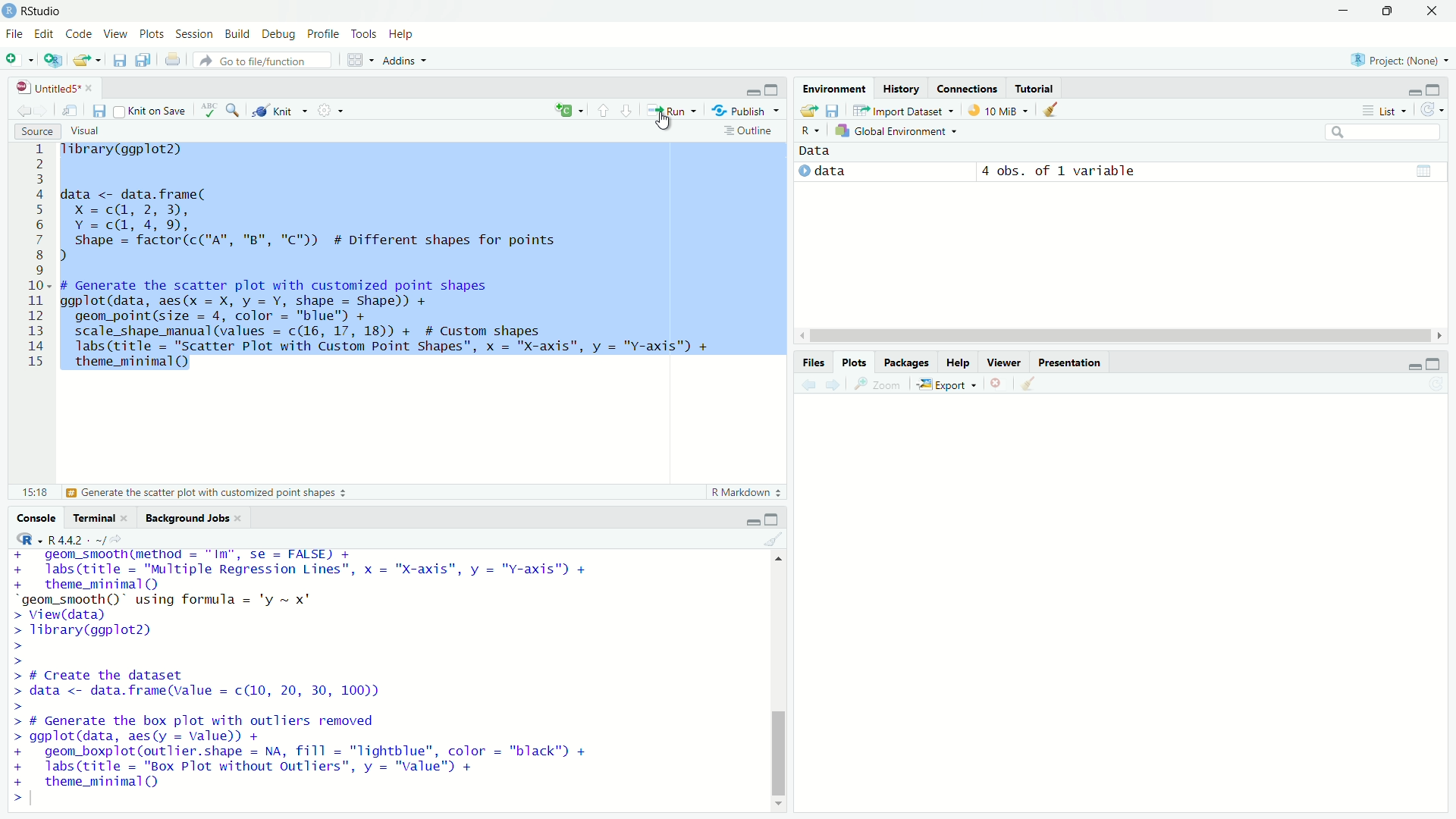 This screenshot has height=819, width=1456. Describe the element at coordinates (832, 384) in the screenshot. I see `Next plot` at that location.